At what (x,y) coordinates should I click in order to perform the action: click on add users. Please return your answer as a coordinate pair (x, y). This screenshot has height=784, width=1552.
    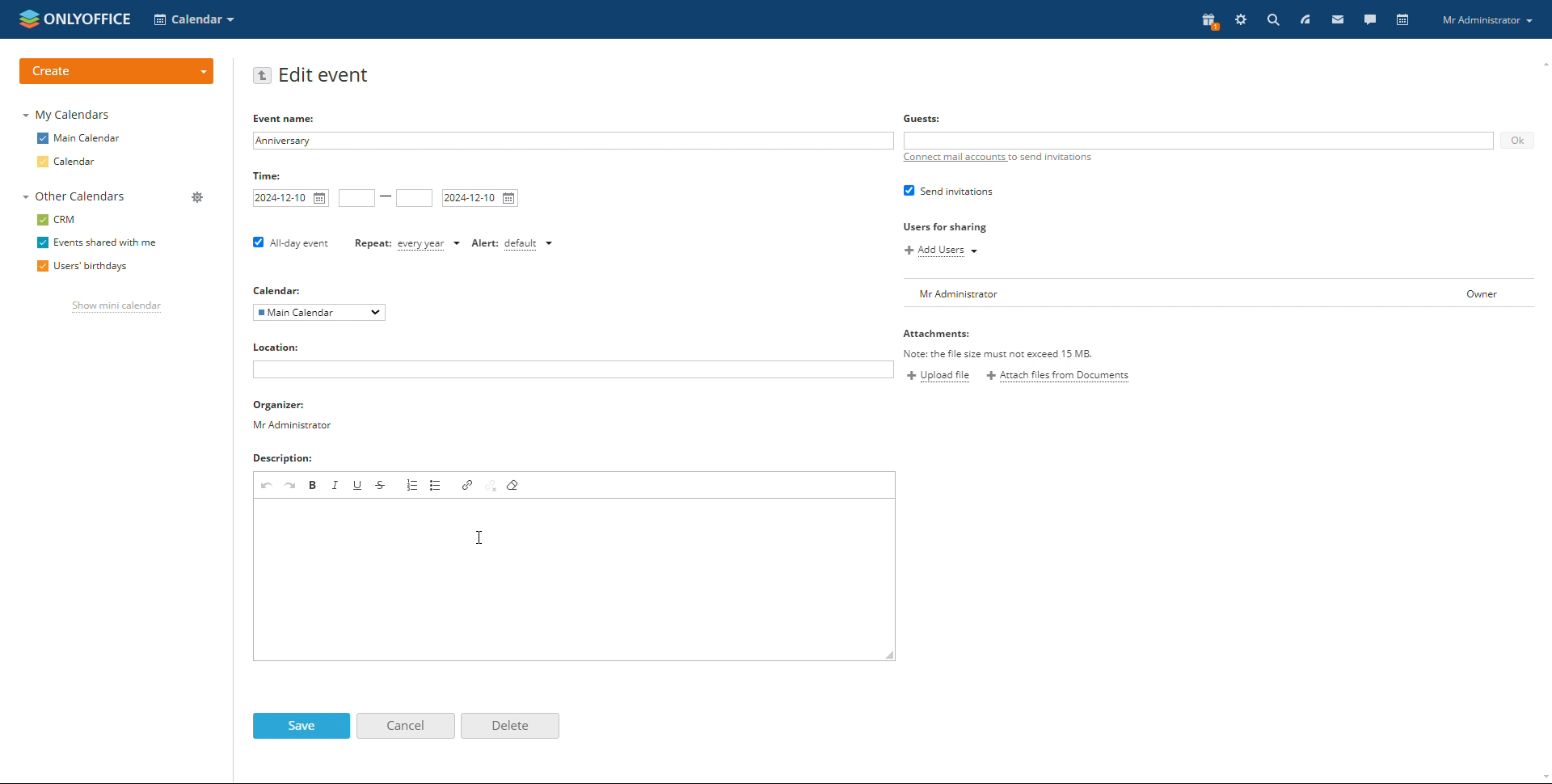
    Looking at the image, I should click on (943, 251).